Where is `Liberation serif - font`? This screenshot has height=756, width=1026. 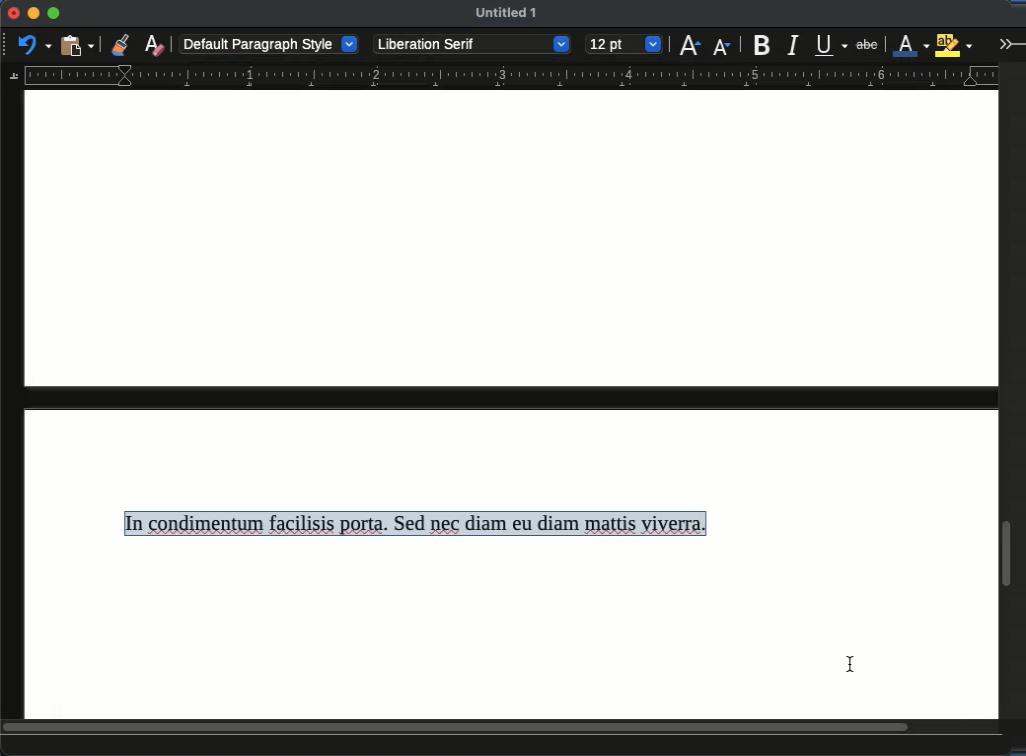 Liberation serif - font is located at coordinates (473, 44).